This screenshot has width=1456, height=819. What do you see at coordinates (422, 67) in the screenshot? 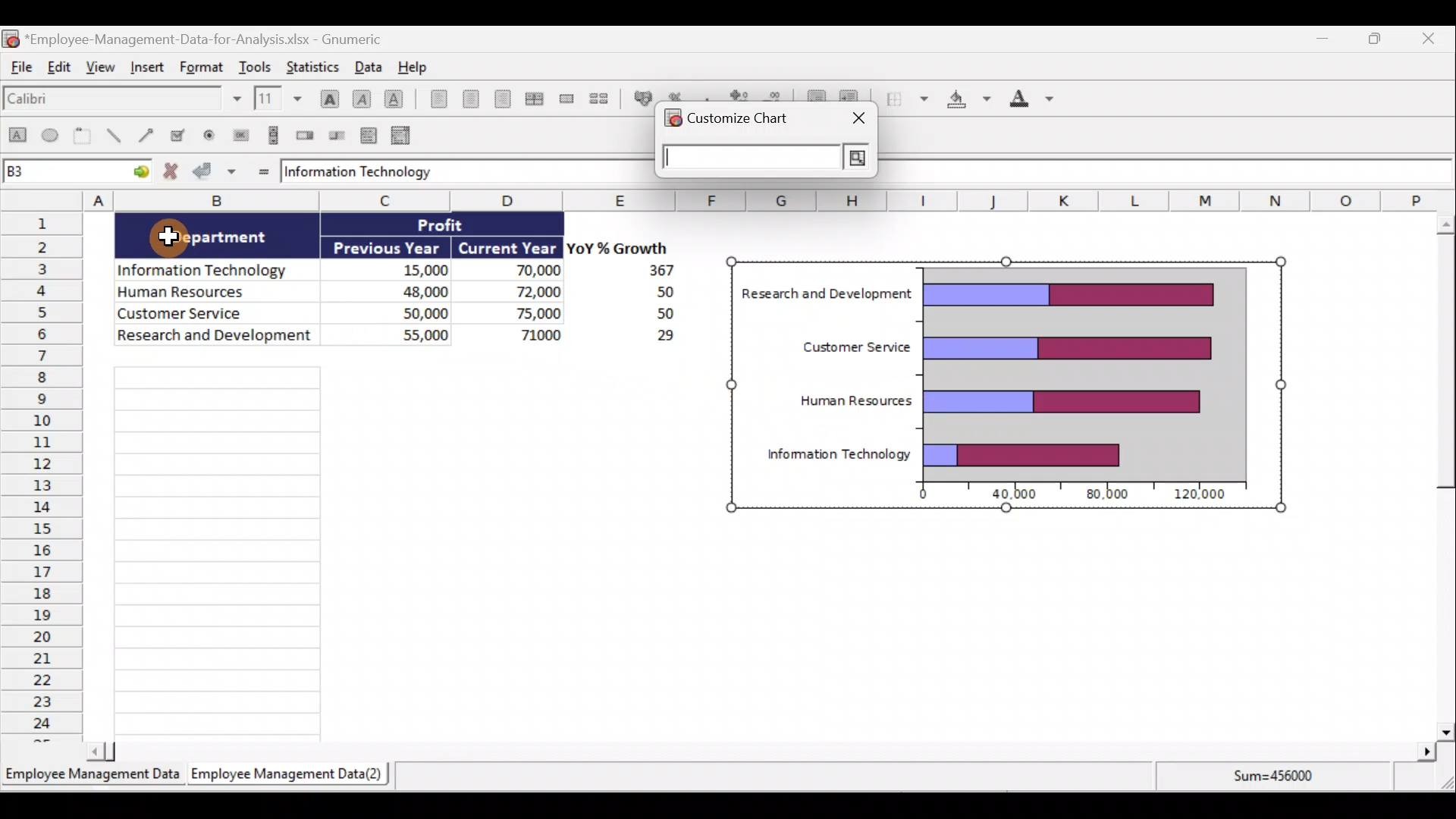
I see `Help` at bounding box center [422, 67].